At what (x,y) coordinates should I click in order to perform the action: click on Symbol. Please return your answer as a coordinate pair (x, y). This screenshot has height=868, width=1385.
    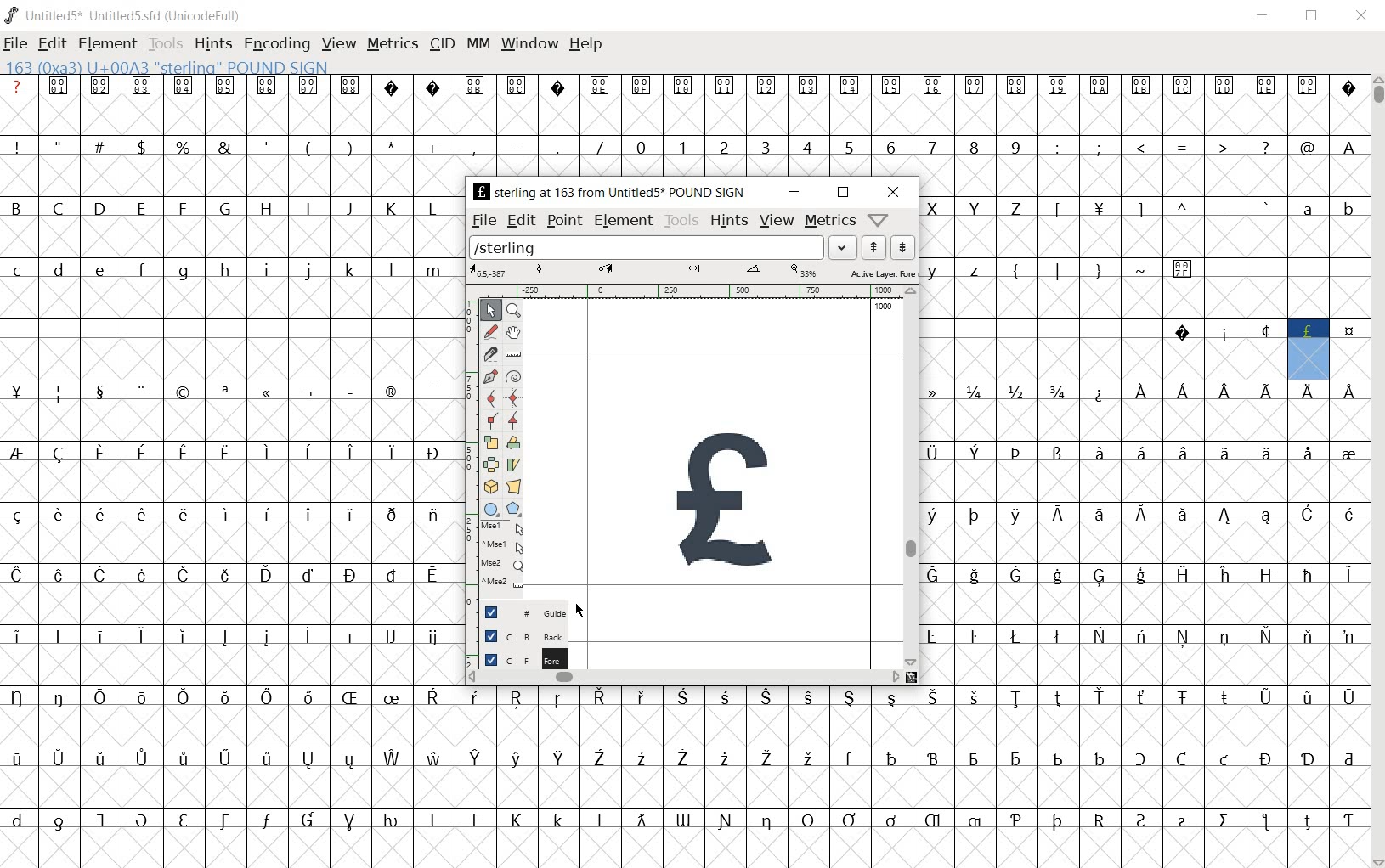
    Looking at the image, I should click on (1266, 823).